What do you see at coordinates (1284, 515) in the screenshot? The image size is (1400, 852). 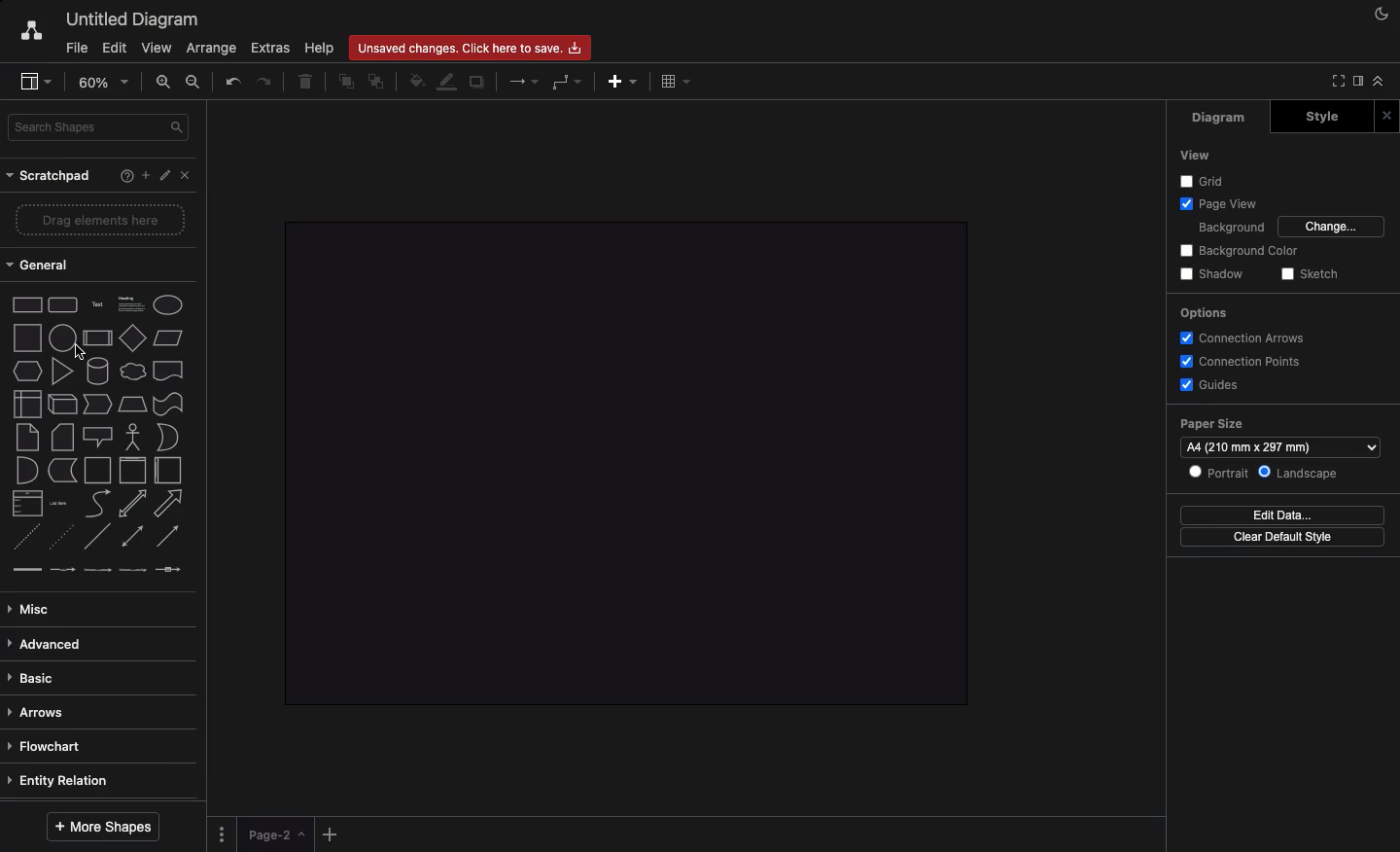 I see `Edit data` at bounding box center [1284, 515].